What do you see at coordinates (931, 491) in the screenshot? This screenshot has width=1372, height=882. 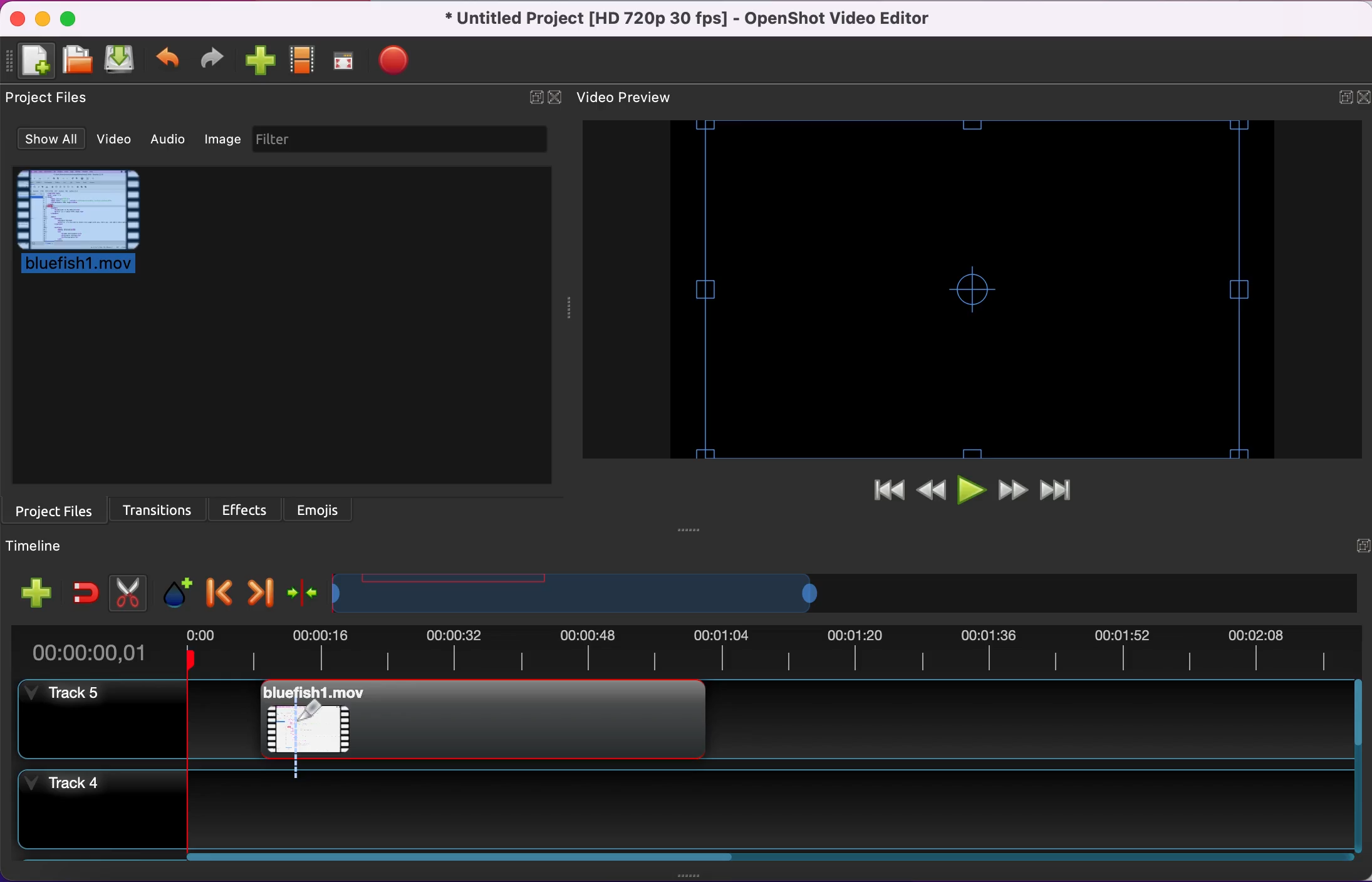 I see `rewind` at bounding box center [931, 491].